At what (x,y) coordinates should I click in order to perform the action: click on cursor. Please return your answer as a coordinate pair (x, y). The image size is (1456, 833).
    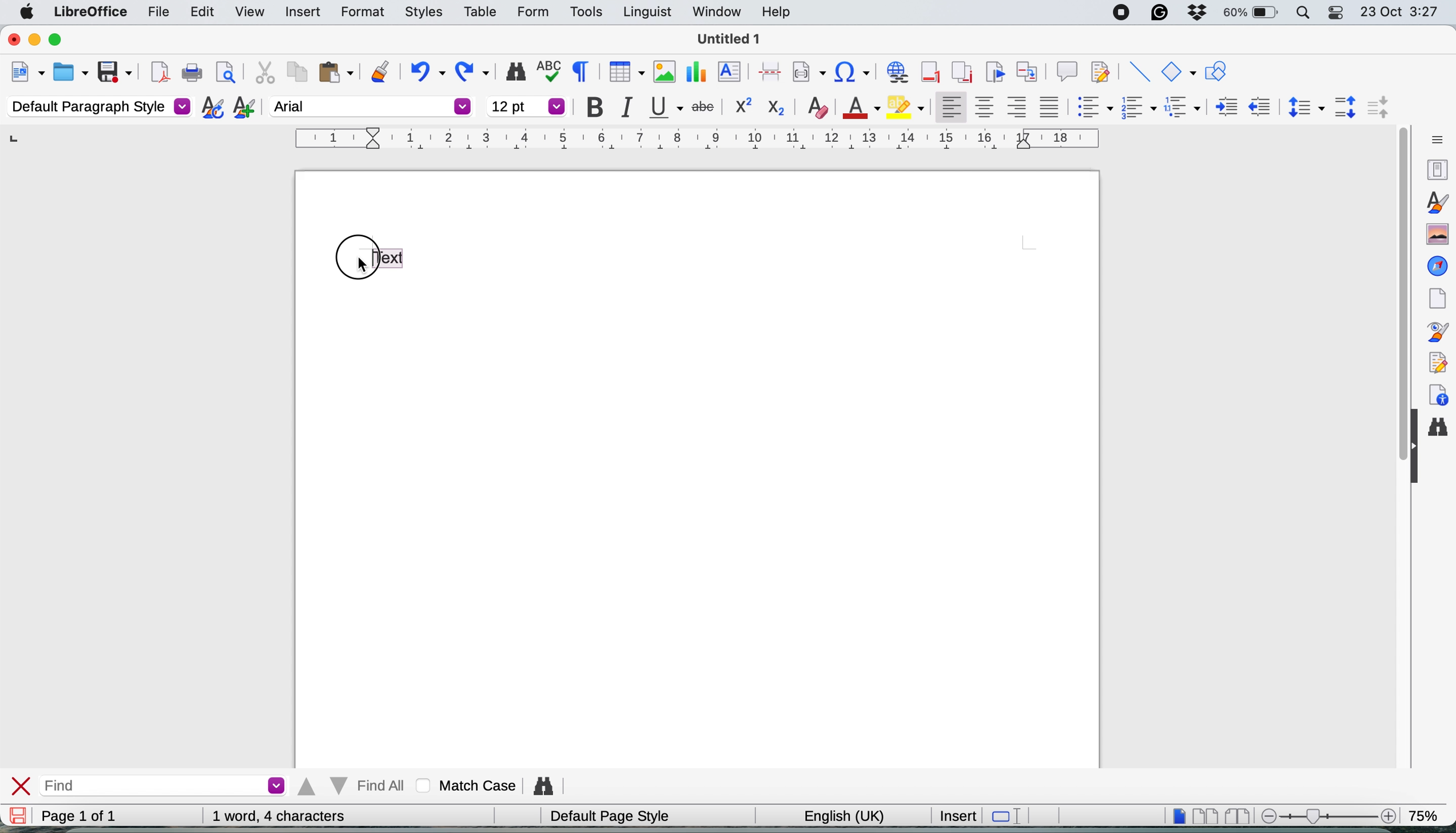
    Looking at the image, I should click on (362, 265).